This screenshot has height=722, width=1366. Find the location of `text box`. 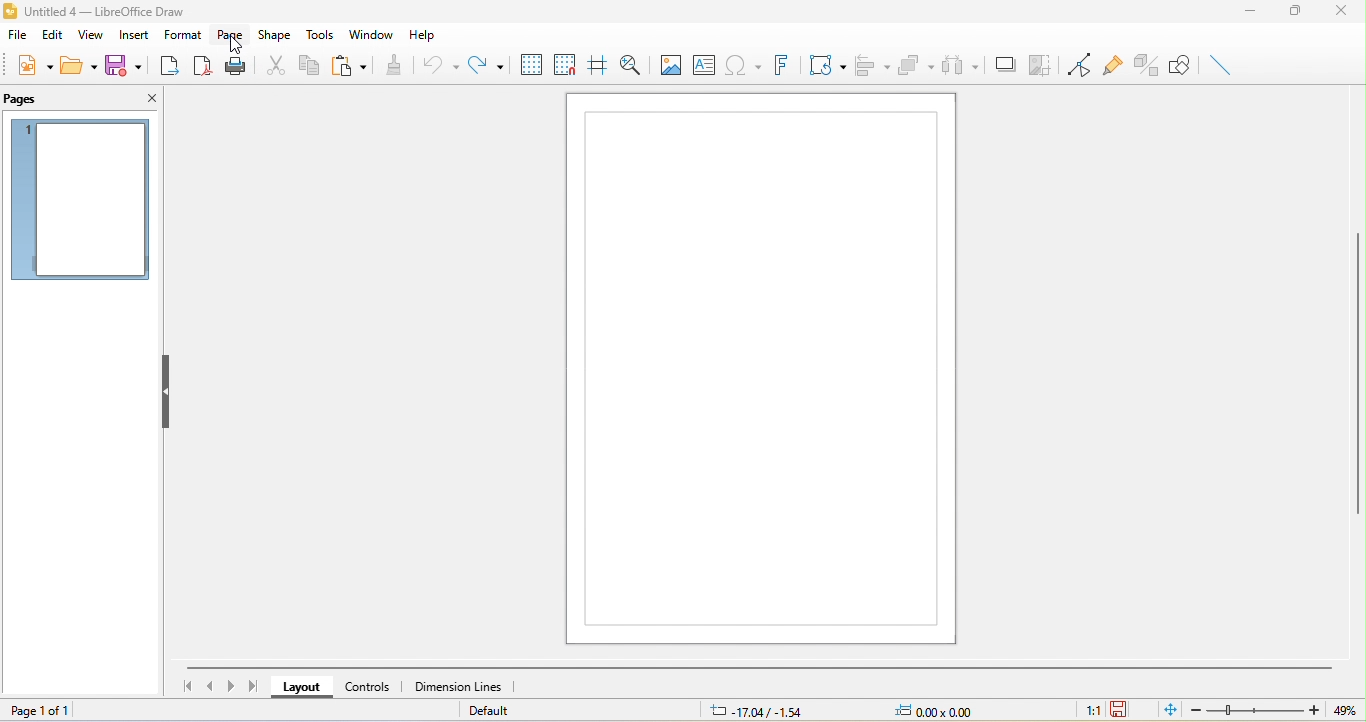

text box is located at coordinates (703, 67).